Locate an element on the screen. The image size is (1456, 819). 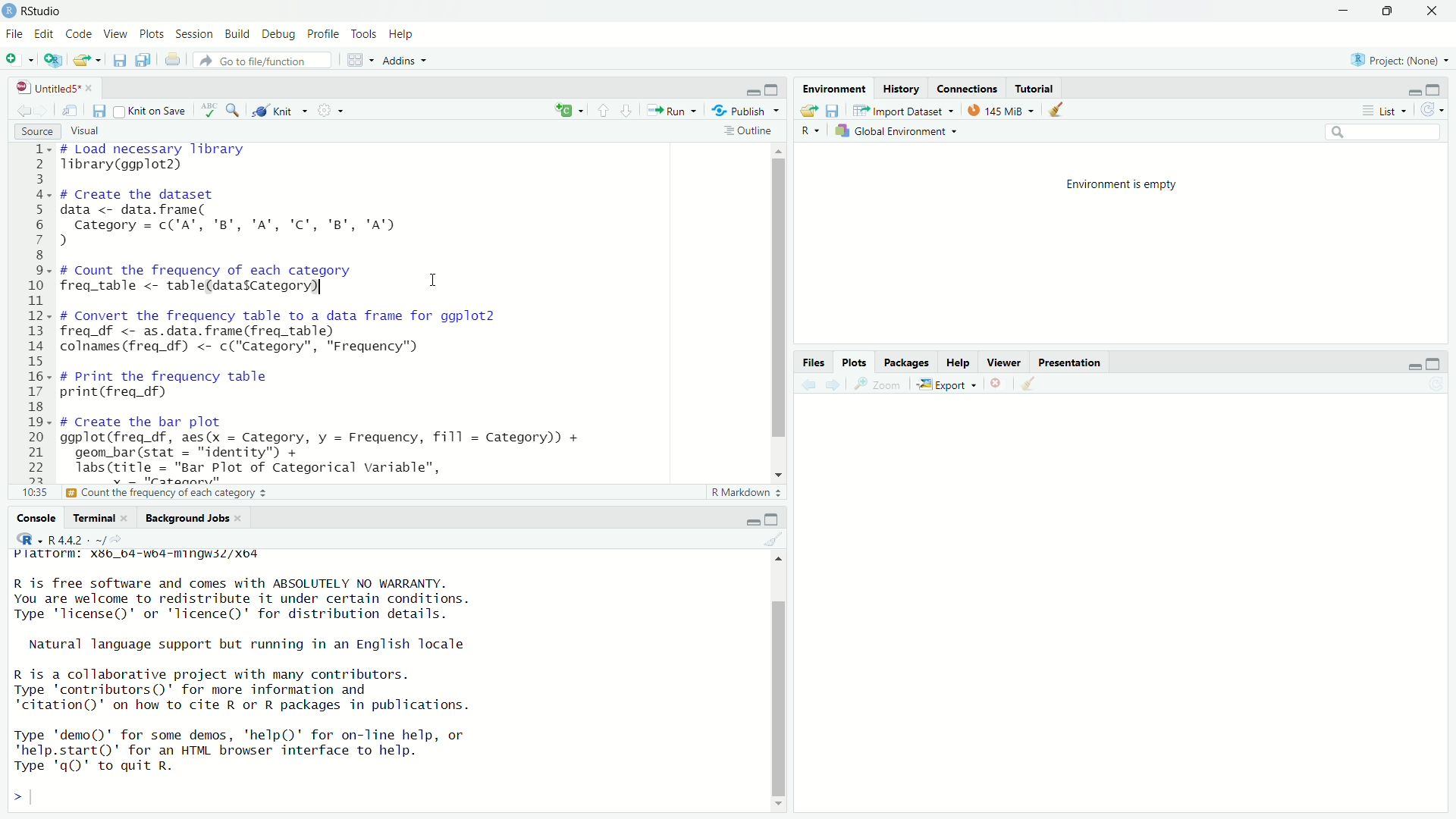
presentation is located at coordinates (1072, 363).